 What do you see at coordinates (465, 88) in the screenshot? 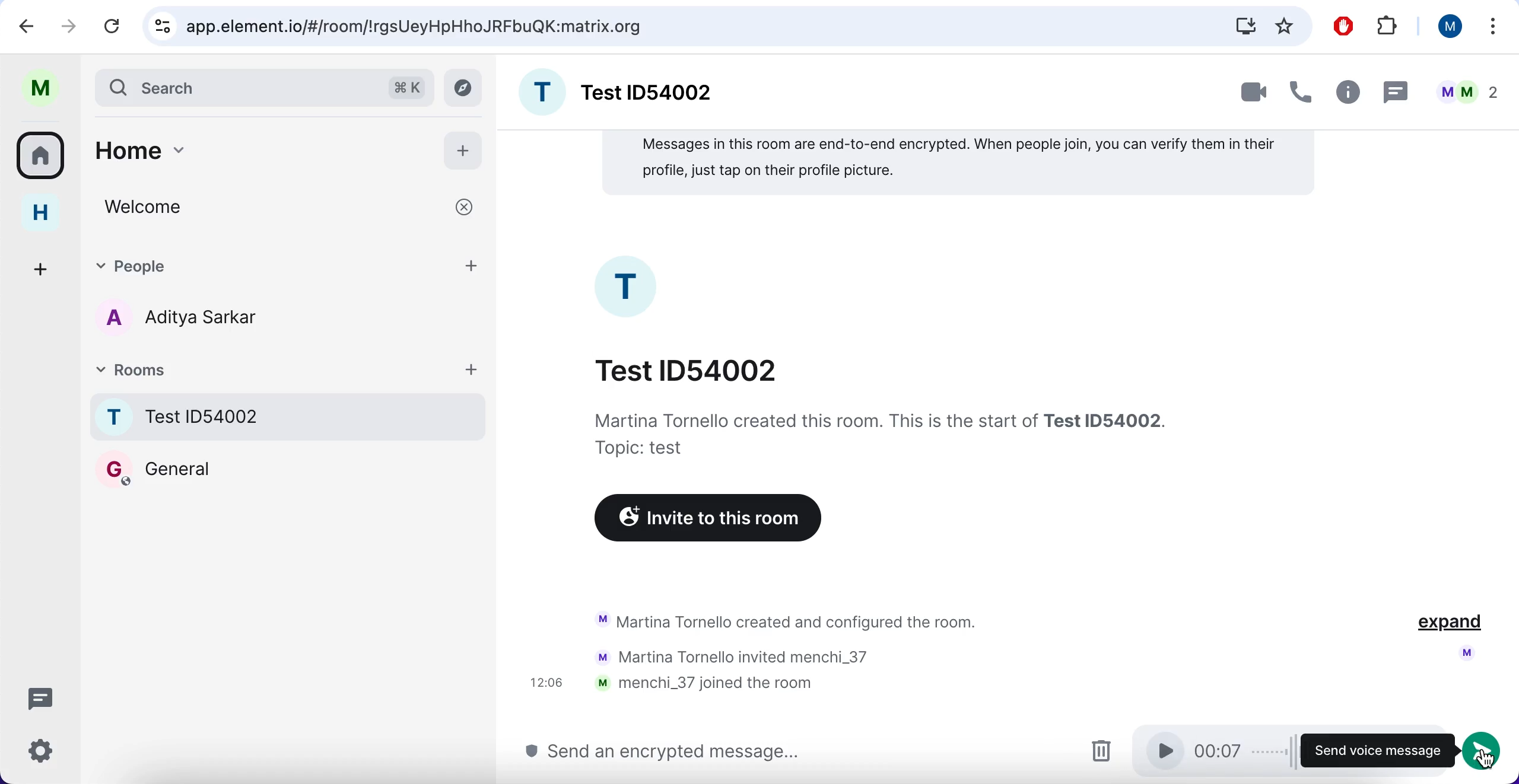
I see `explore rooms` at bounding box center [465, 88].